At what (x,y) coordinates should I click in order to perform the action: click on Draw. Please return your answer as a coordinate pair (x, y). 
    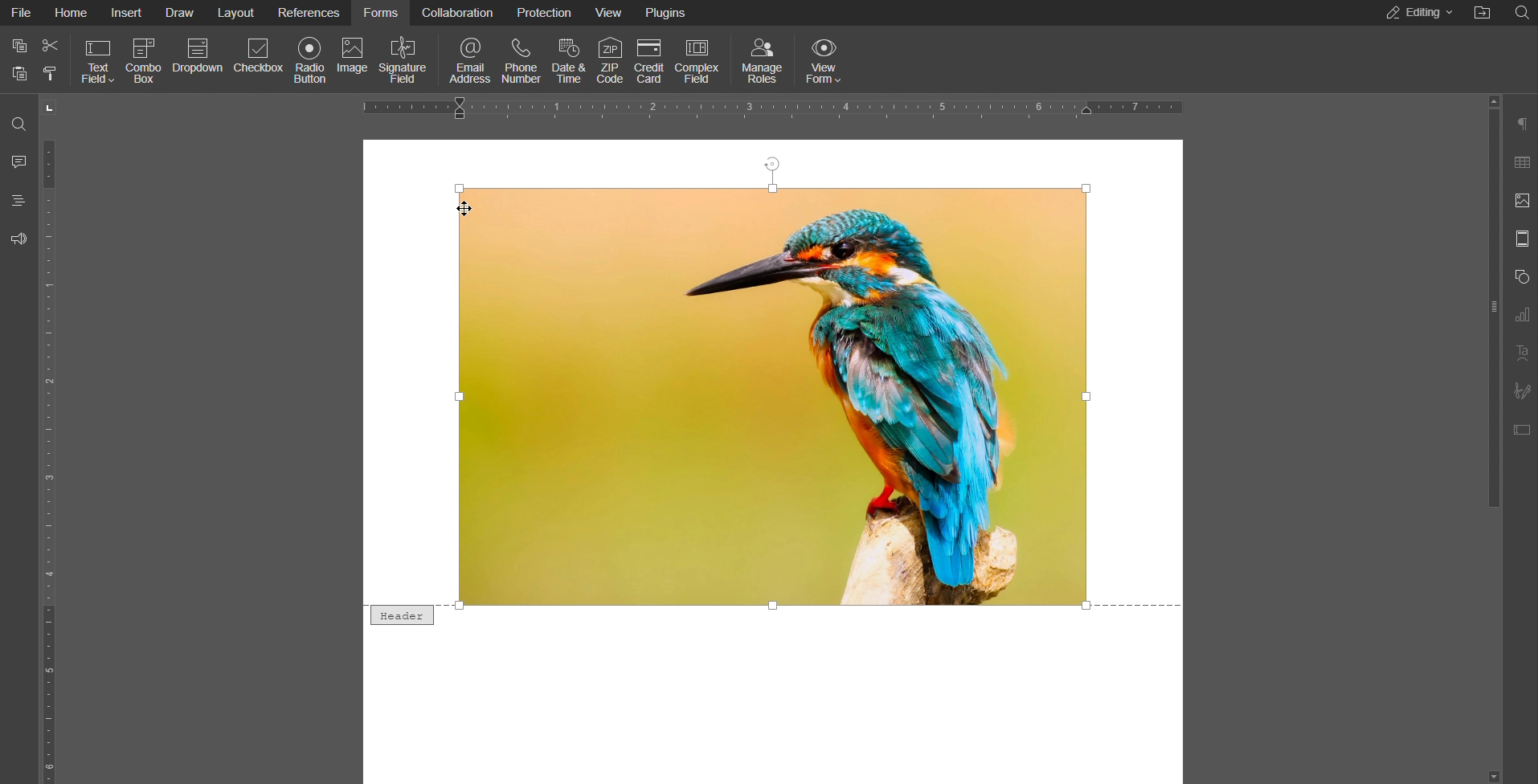
    Looking at the image, I should click on (182, 13).